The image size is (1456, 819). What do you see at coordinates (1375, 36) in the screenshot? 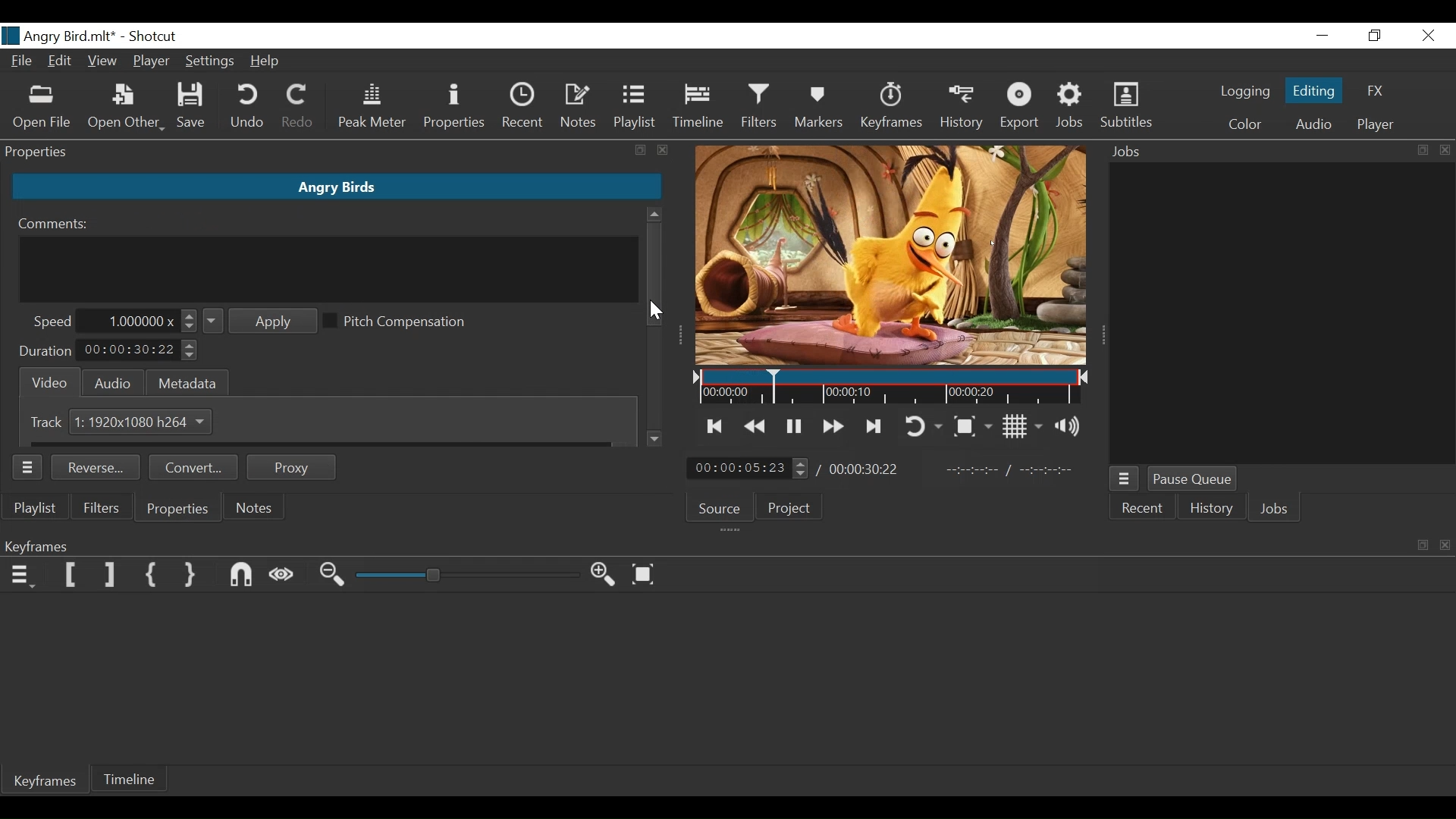
I see `Restore` at bounding box center [1375, 36].